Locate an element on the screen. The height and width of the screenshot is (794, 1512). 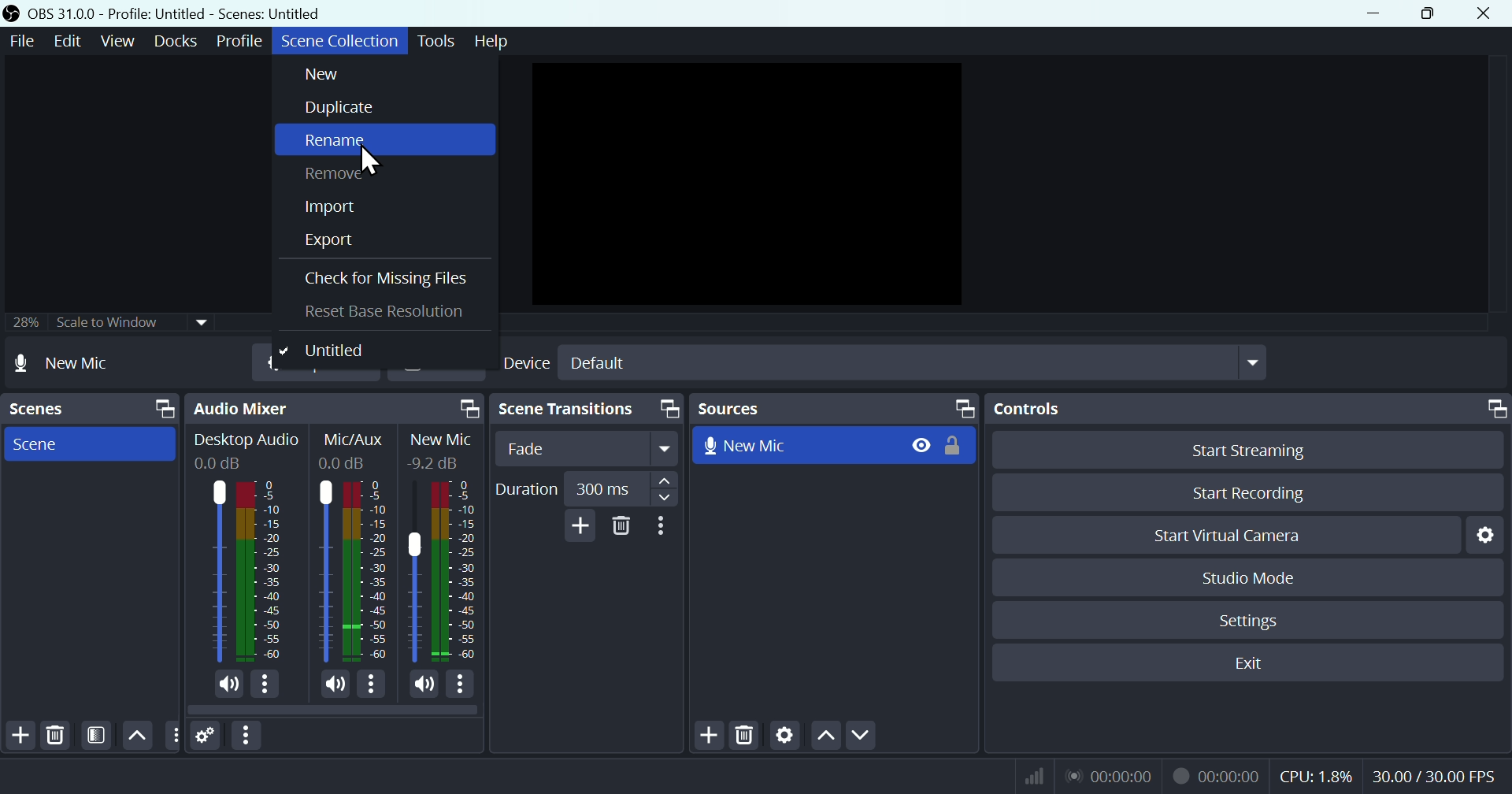
Filter is located at coordinates (98, 736).